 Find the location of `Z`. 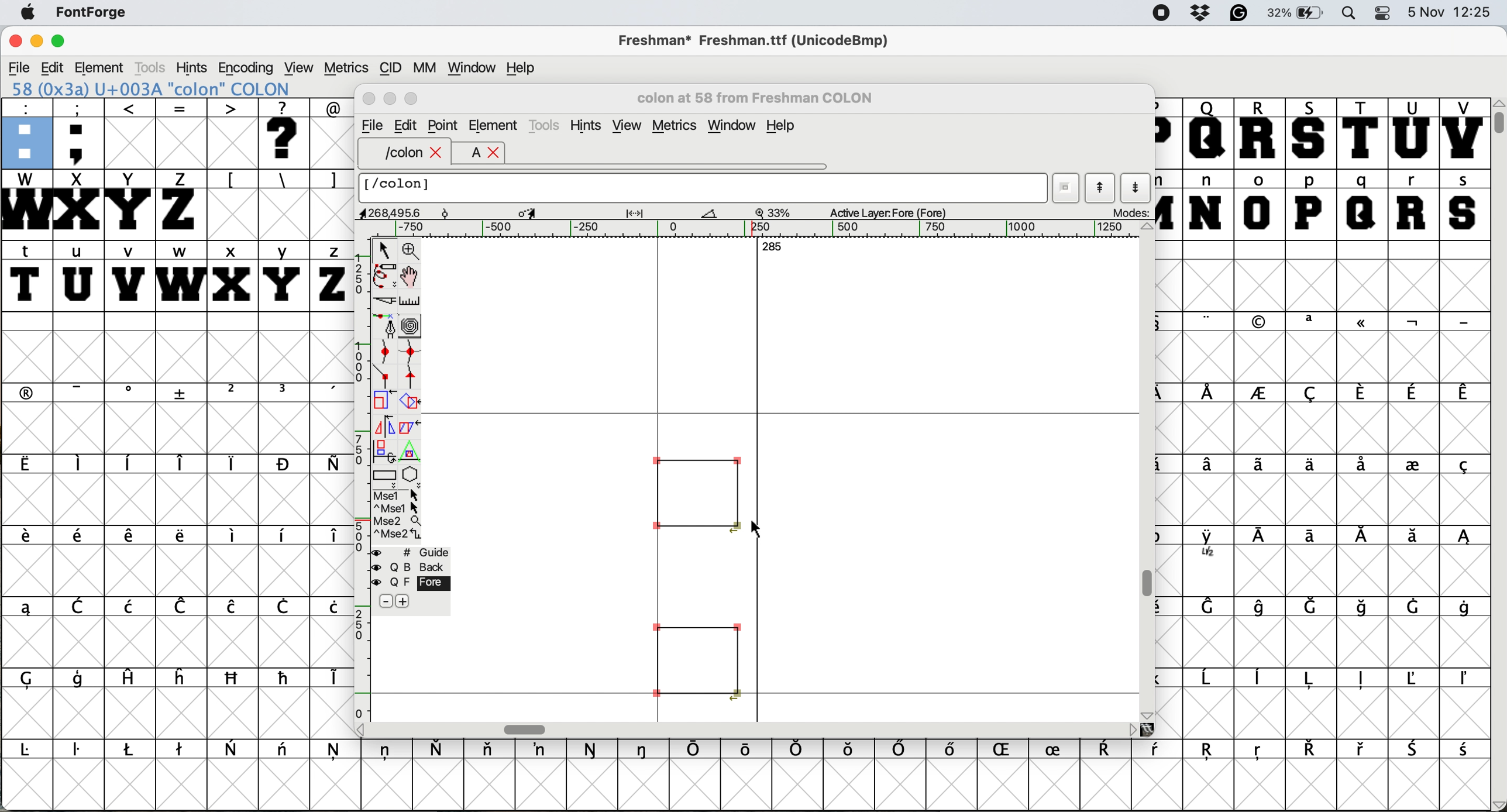

Z is located at coordinates (181, 204).